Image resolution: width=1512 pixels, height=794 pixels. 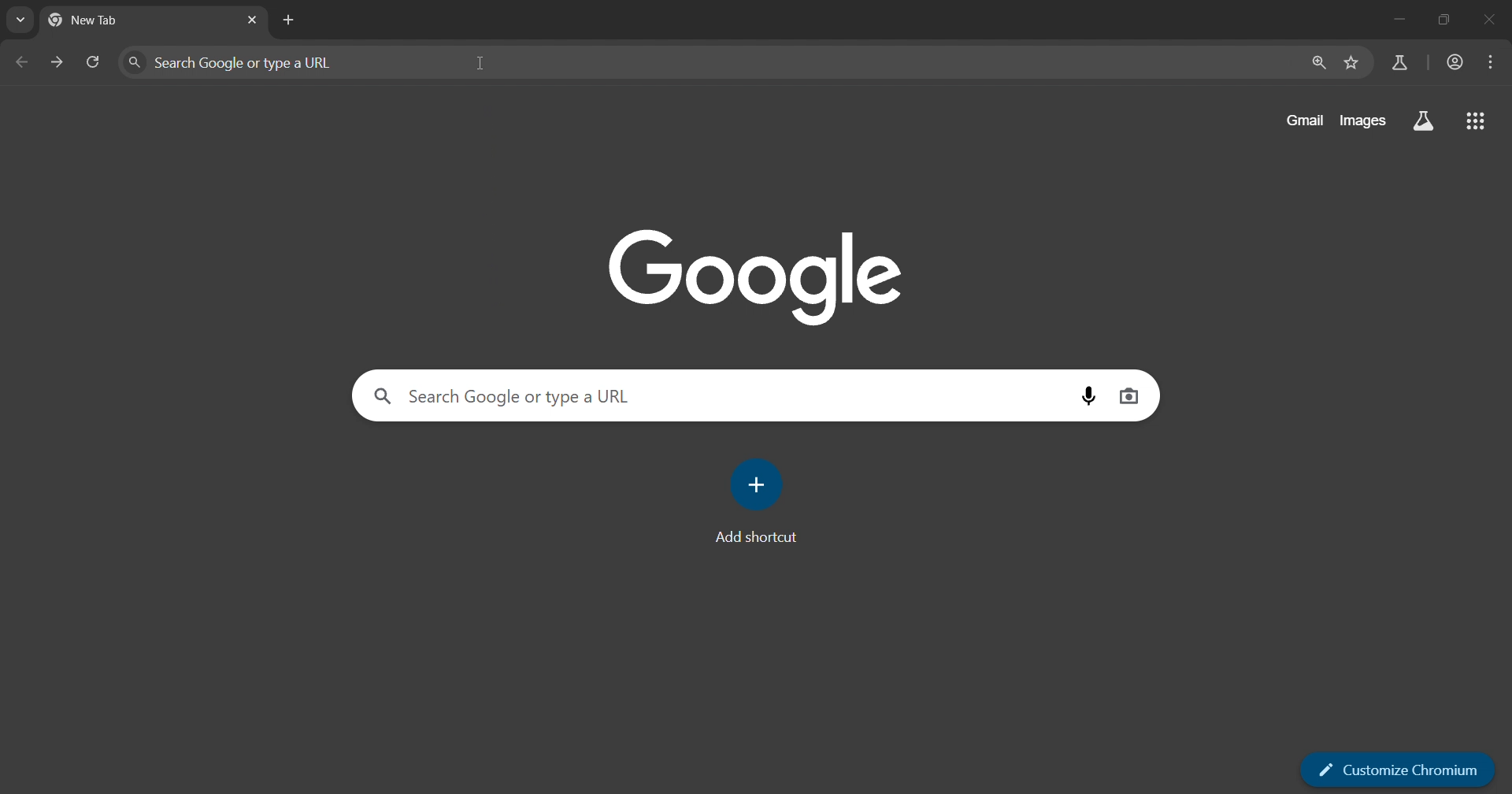 What do you see at coordinates (1397, 61) in the screenshot?
I see `search labs` at bounding box center [1397, 61].